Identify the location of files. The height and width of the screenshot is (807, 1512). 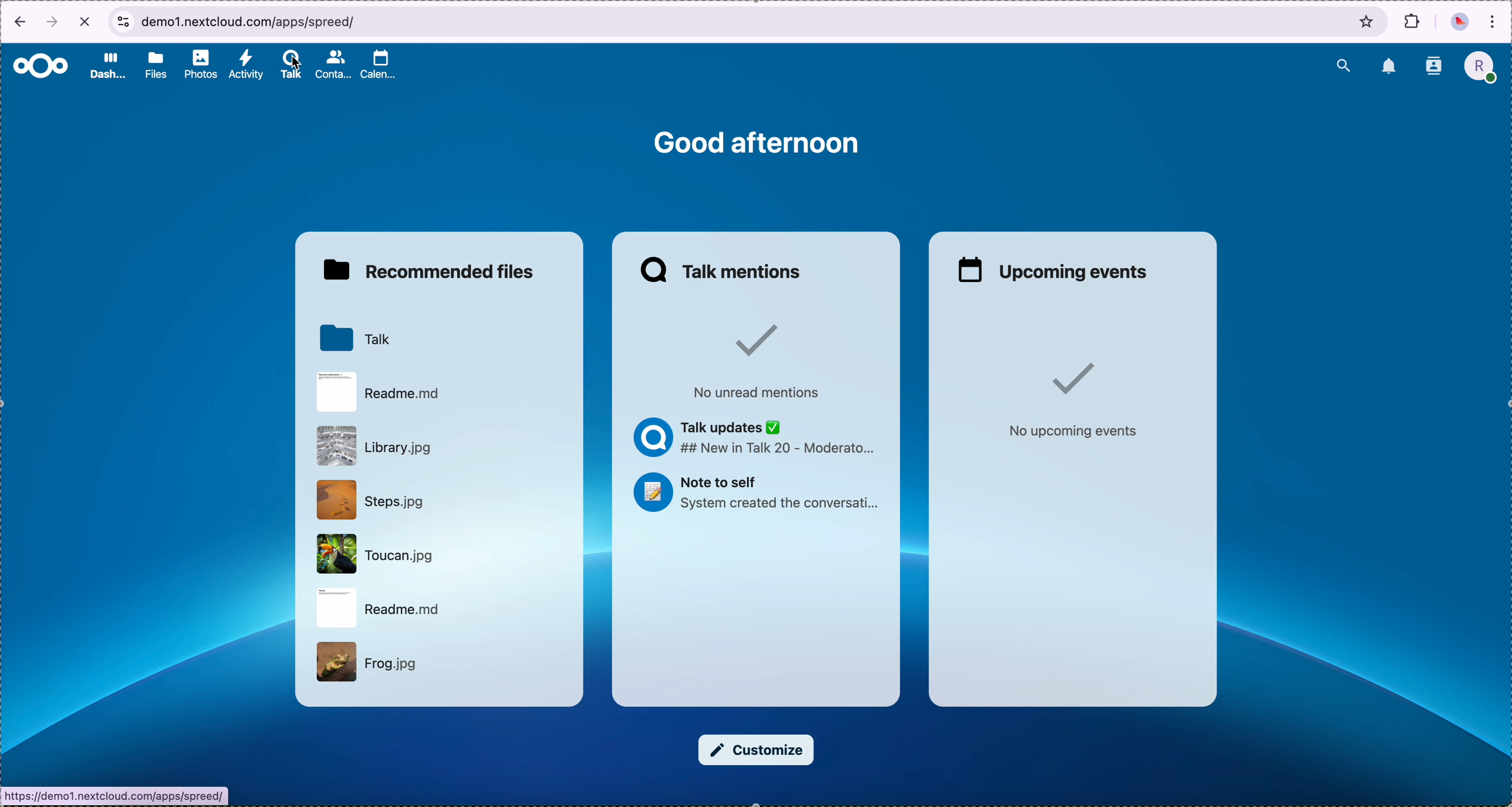
(157, 64).